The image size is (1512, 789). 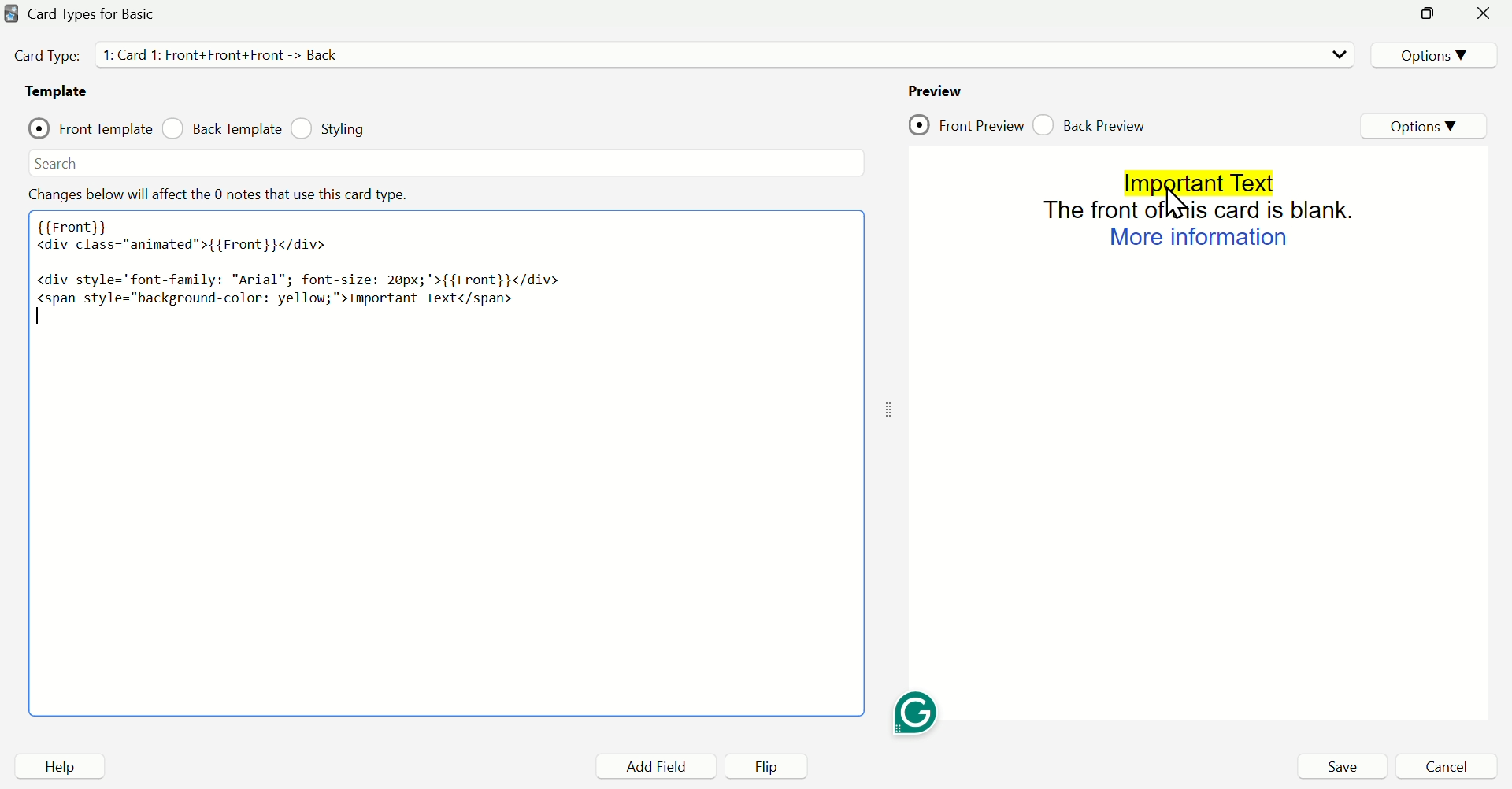 What do you see at coordinates (1432, 54) in the screenshot?
I see `Options` at bounding box center [1432, 54].